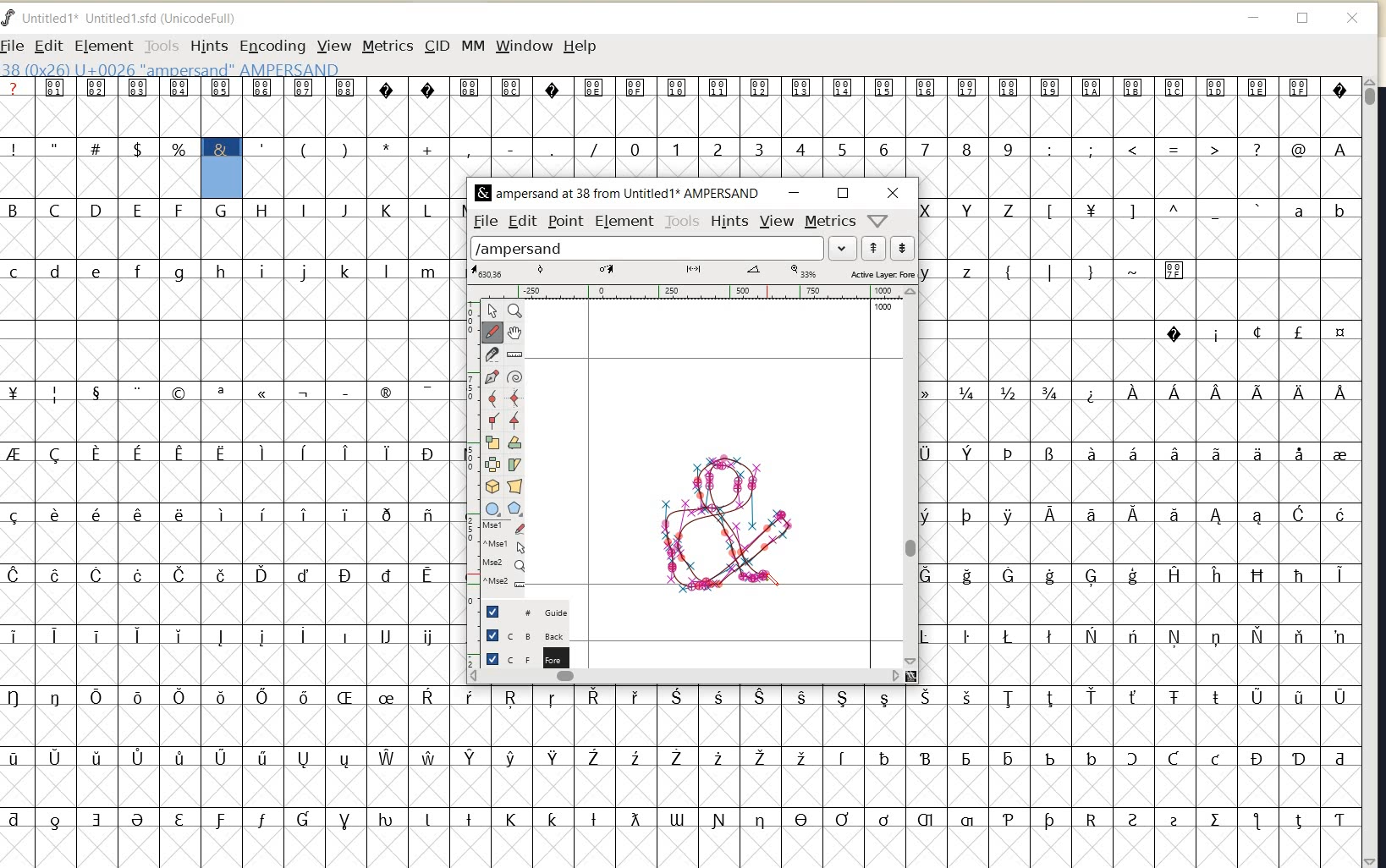 The image size is (1386, 868). I want to click on close, so click(1354, 18).